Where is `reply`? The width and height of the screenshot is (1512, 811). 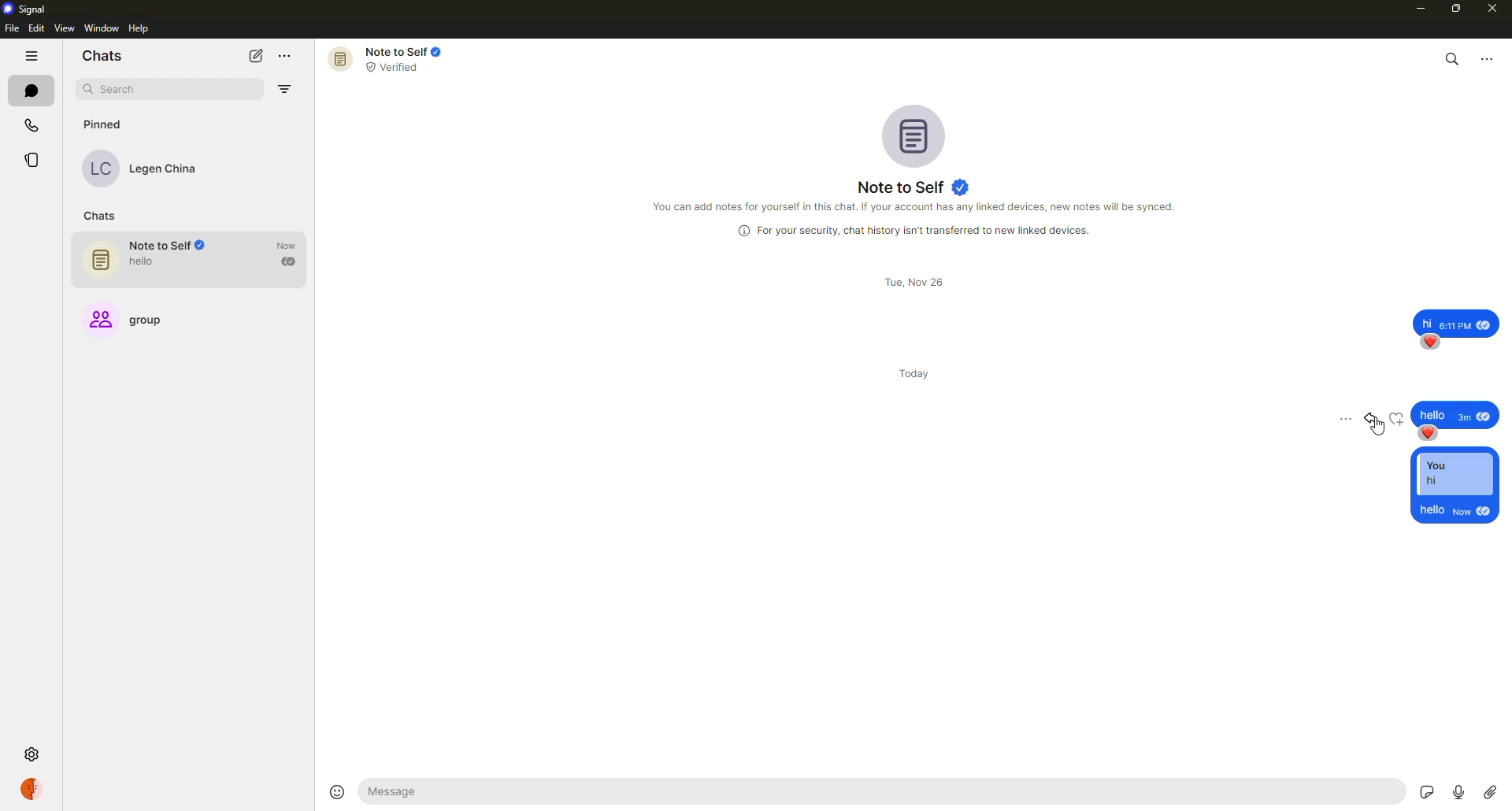 reply is located at coordinates (1453, 484).